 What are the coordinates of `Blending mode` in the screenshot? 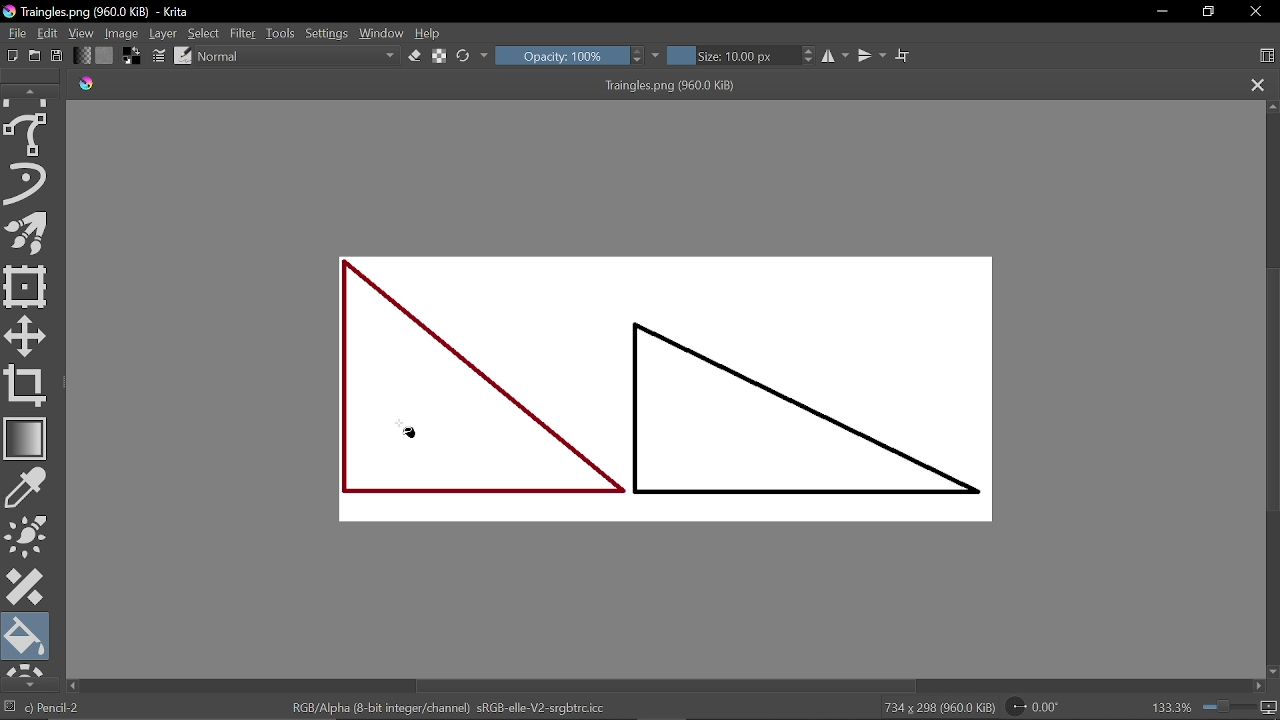 It's located at (298, 57).